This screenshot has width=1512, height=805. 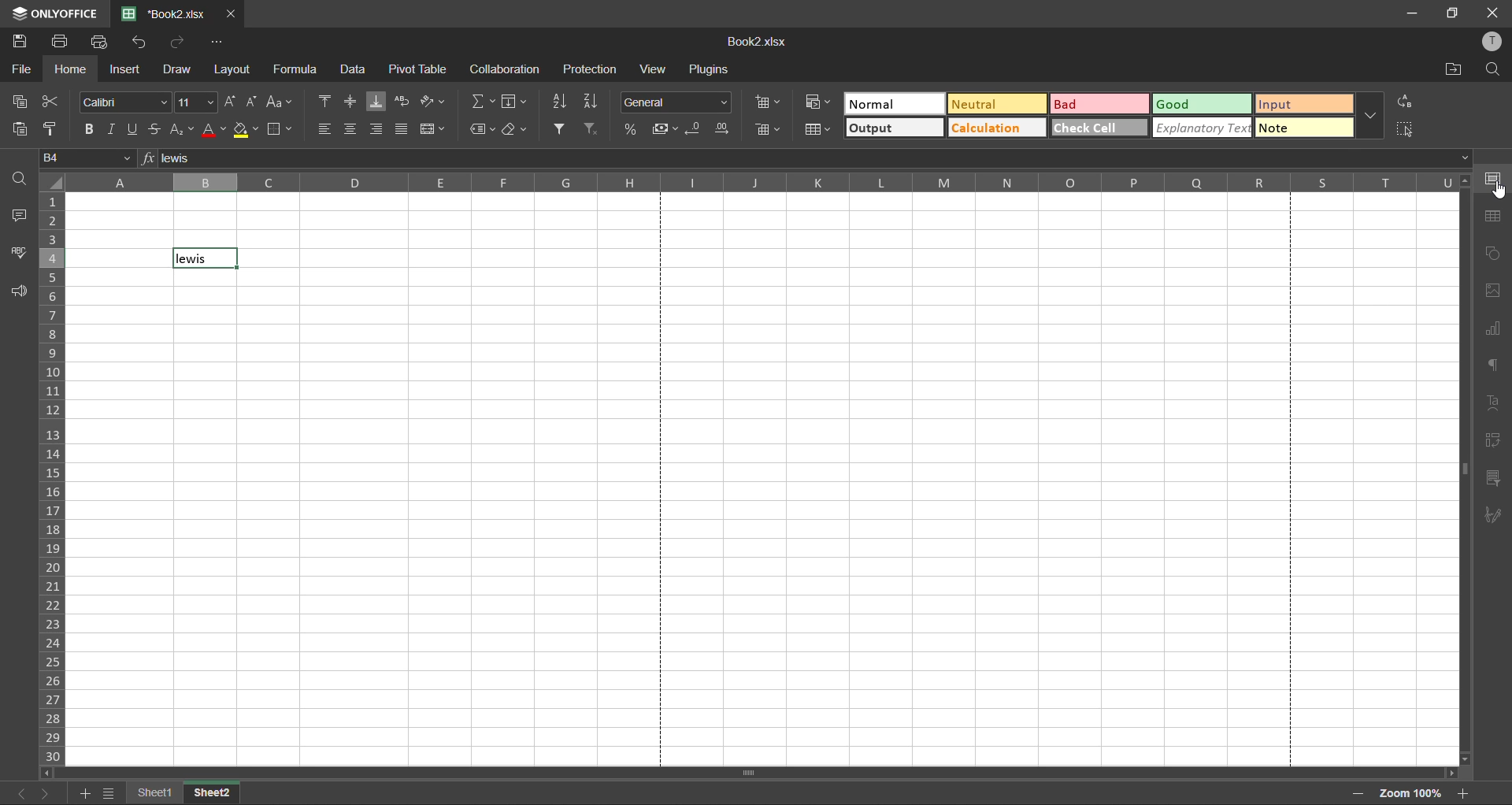 I want to click on minimize, so click(x=1413, y=13).